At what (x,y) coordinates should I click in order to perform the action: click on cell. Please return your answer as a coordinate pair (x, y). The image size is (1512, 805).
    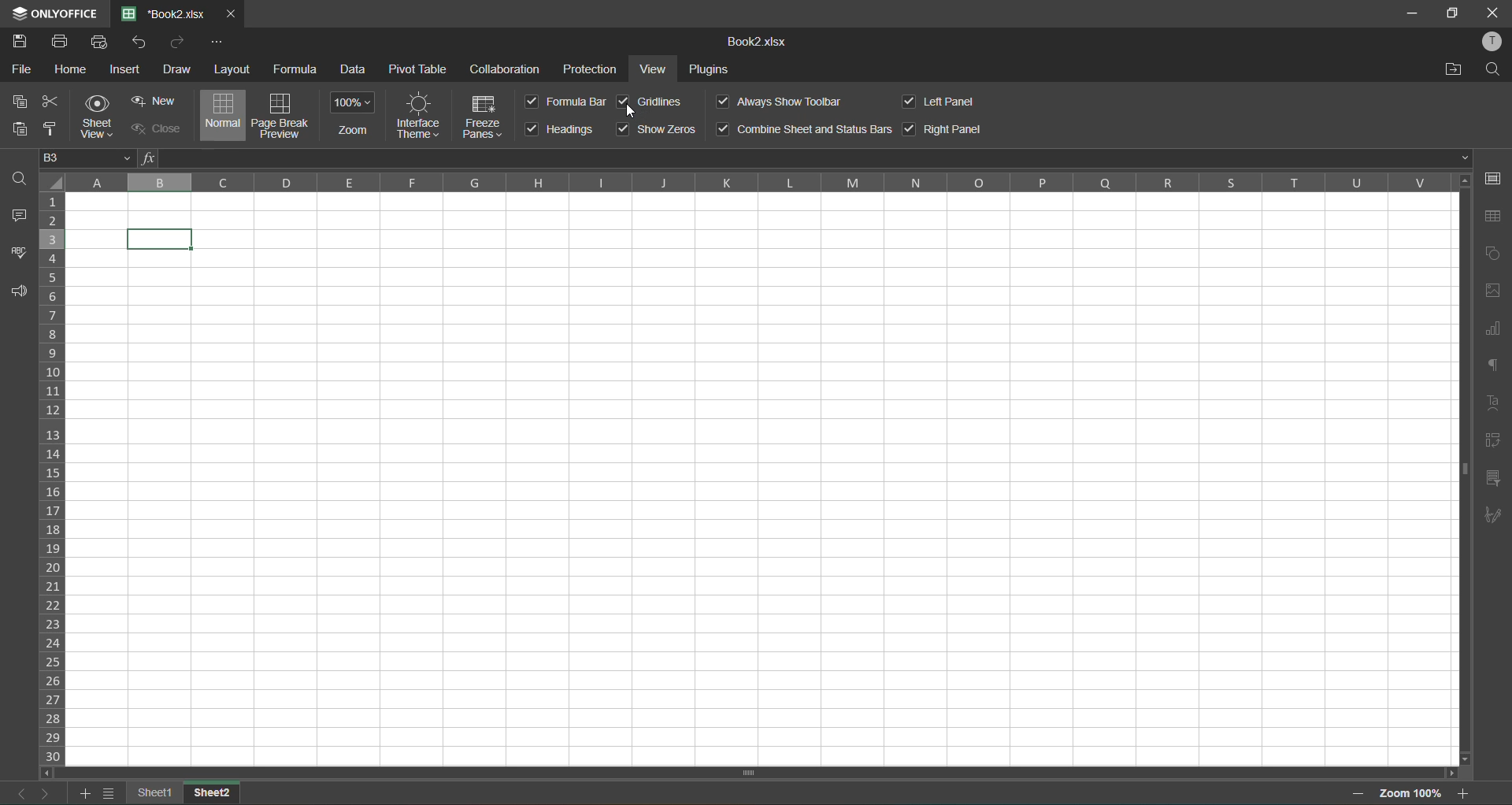
    Looking at the image, I should click on (161, 240).